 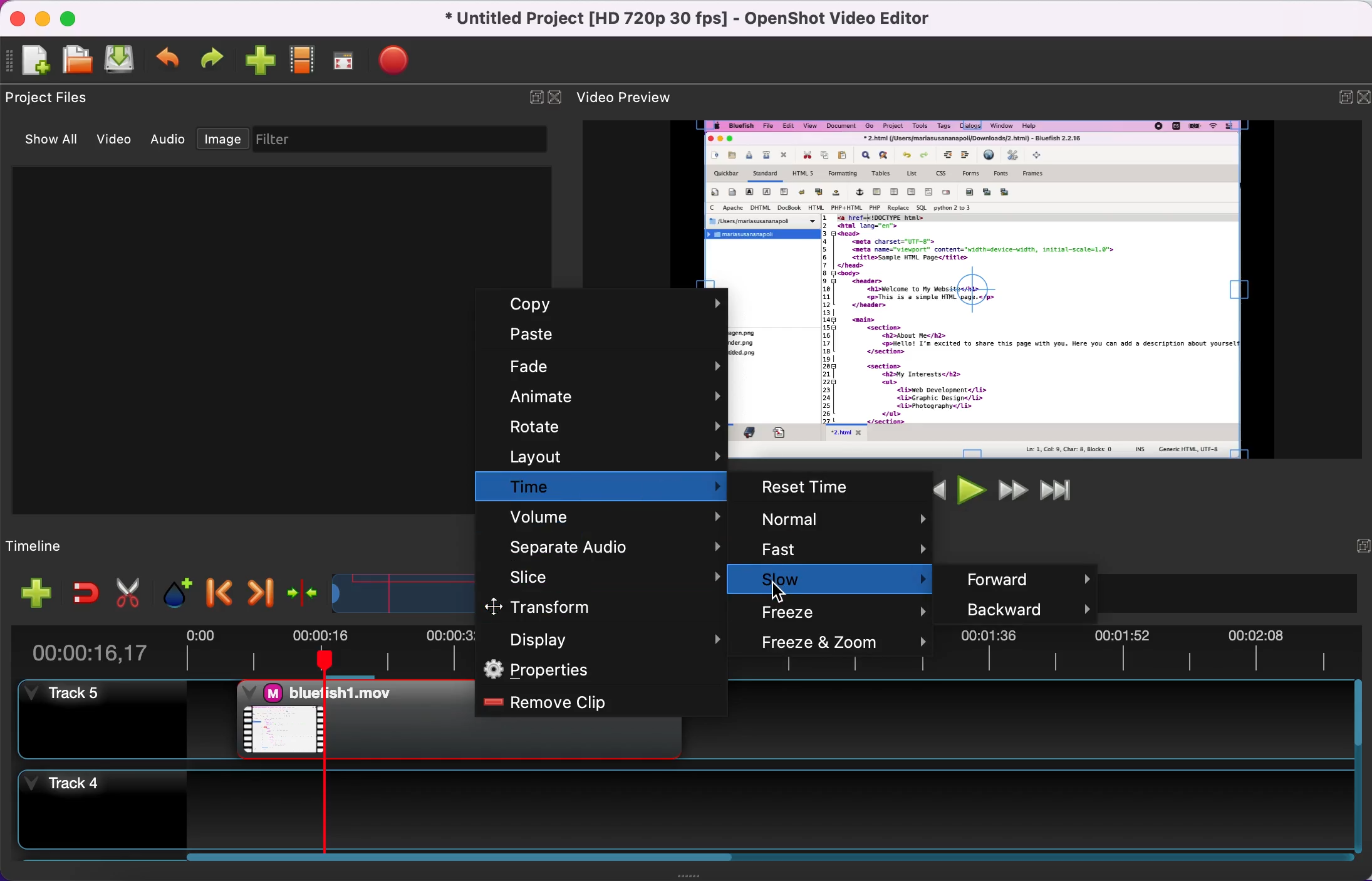 What do you see at coordinates (123, 59) in the screenshot?
I see `save project` at bounding box center [123, 59].